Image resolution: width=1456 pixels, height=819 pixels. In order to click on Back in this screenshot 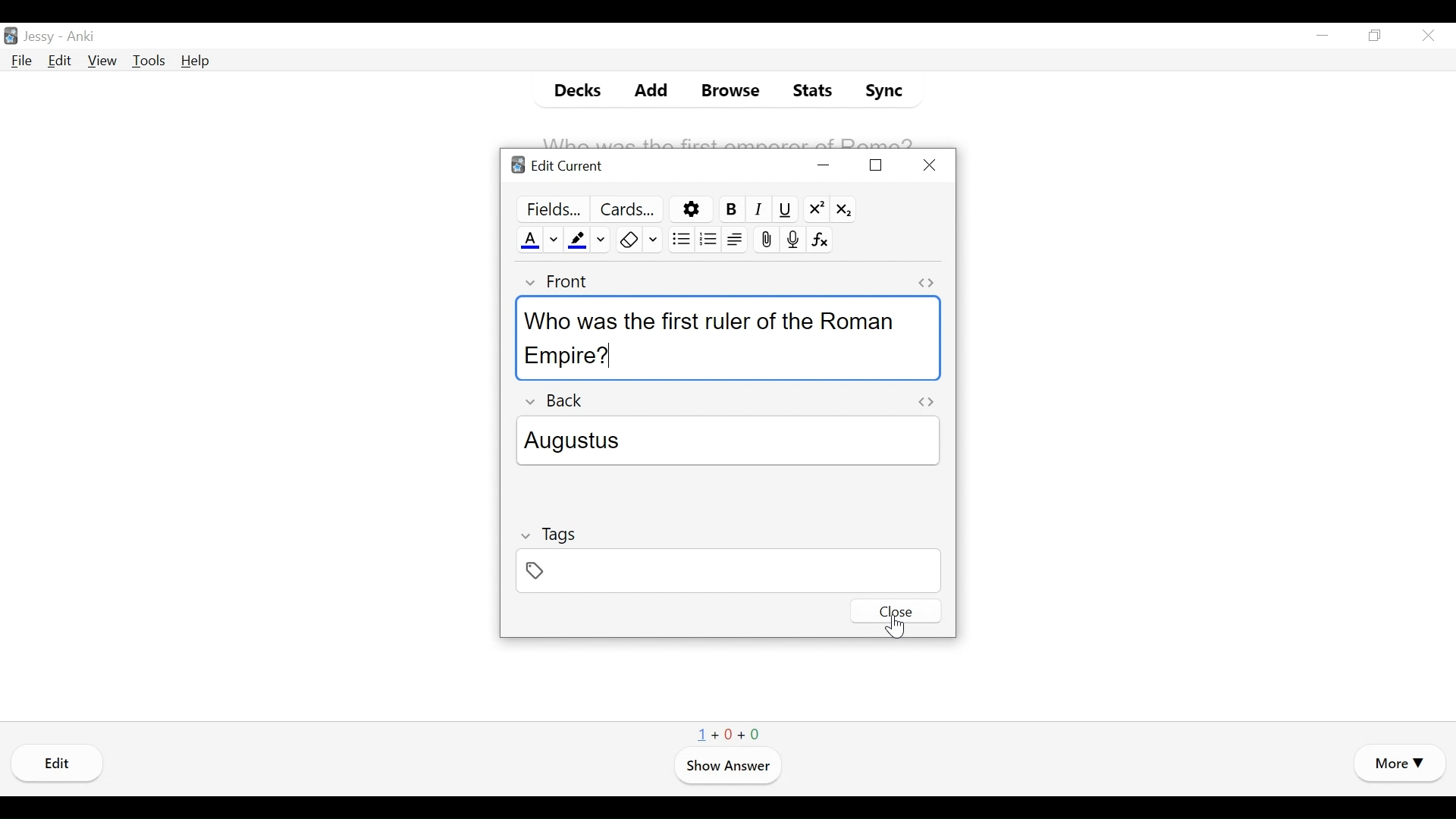, I will do `click(557, 401)`.